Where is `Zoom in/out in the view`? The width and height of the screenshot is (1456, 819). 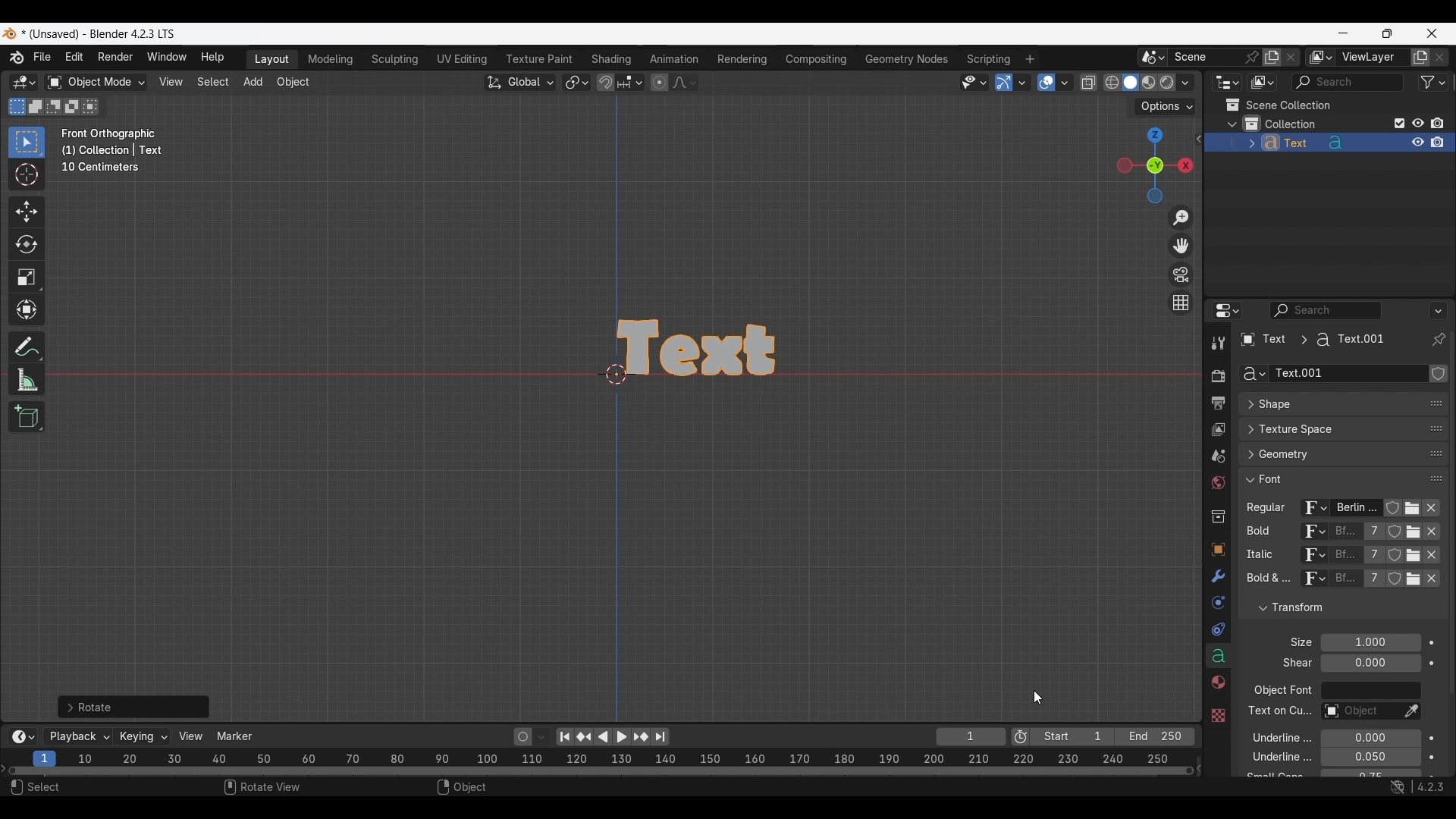 Zoom in/out in the view is located at coordinates (1180, 218).